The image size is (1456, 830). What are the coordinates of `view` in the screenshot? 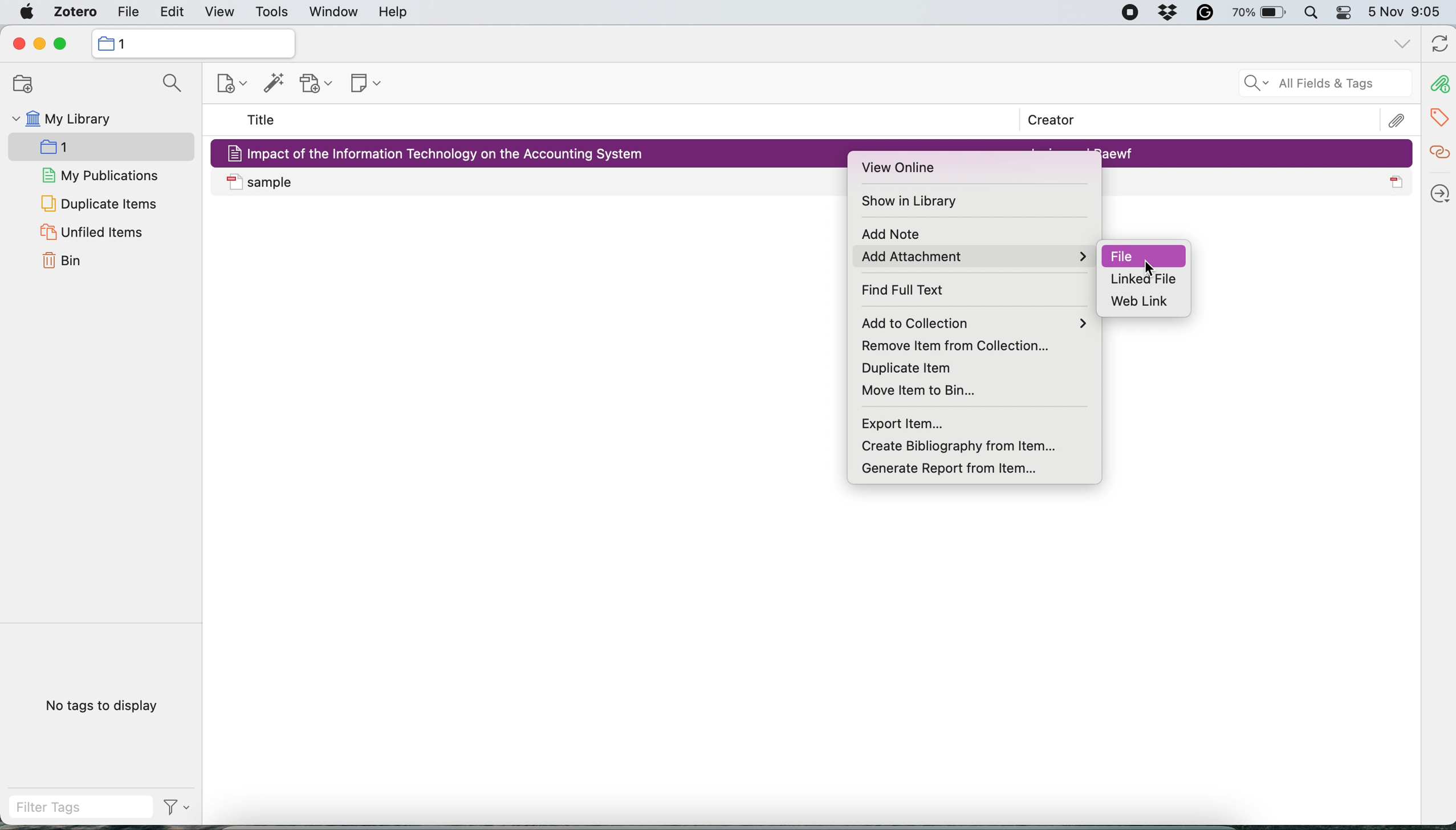 It's located at (219, 13).